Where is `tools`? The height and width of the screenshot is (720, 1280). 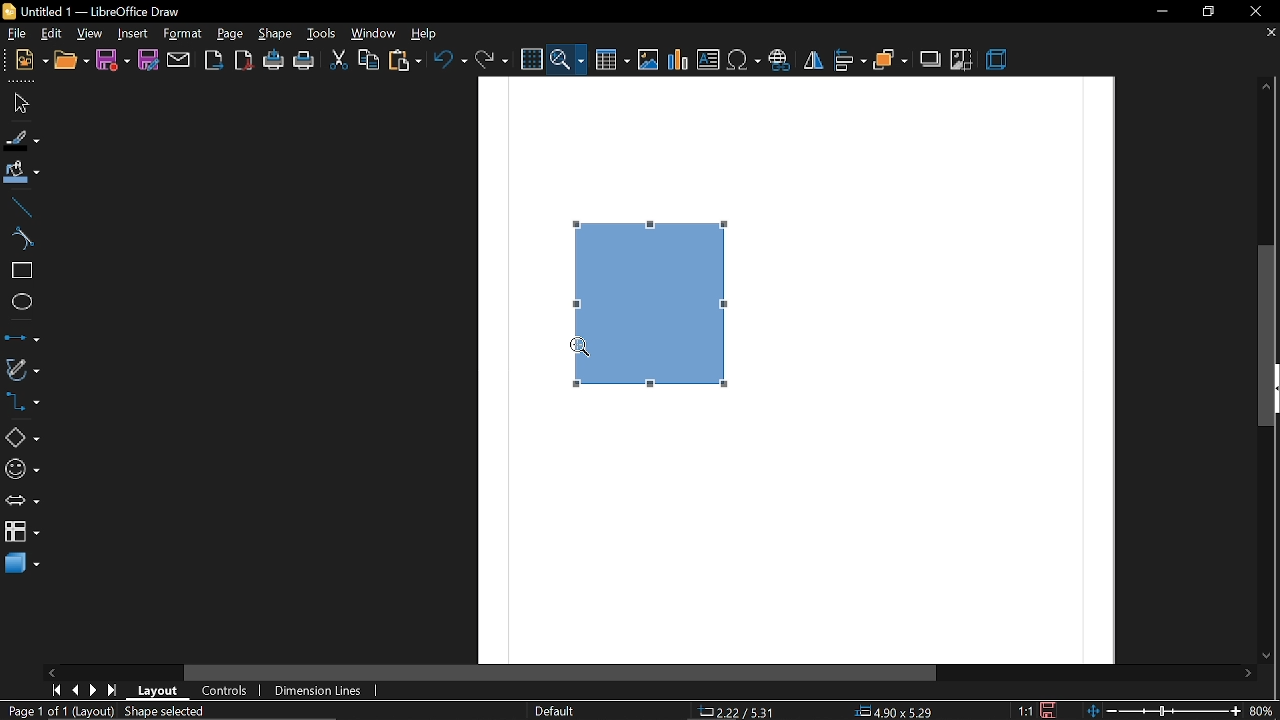
tools is located at coordinates (322, 35).